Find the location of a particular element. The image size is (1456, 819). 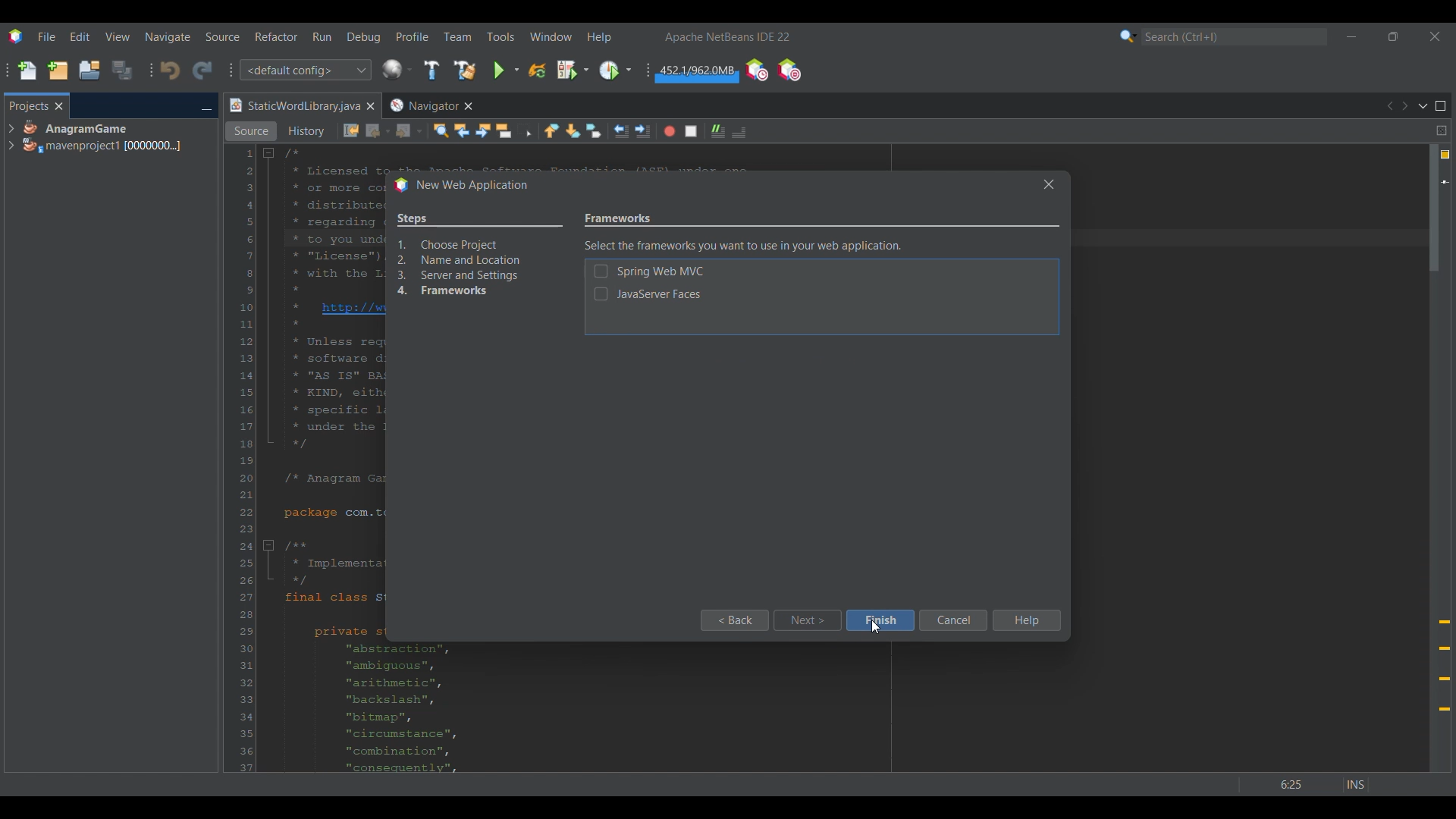

Project options is located at coordinates (103, 136).